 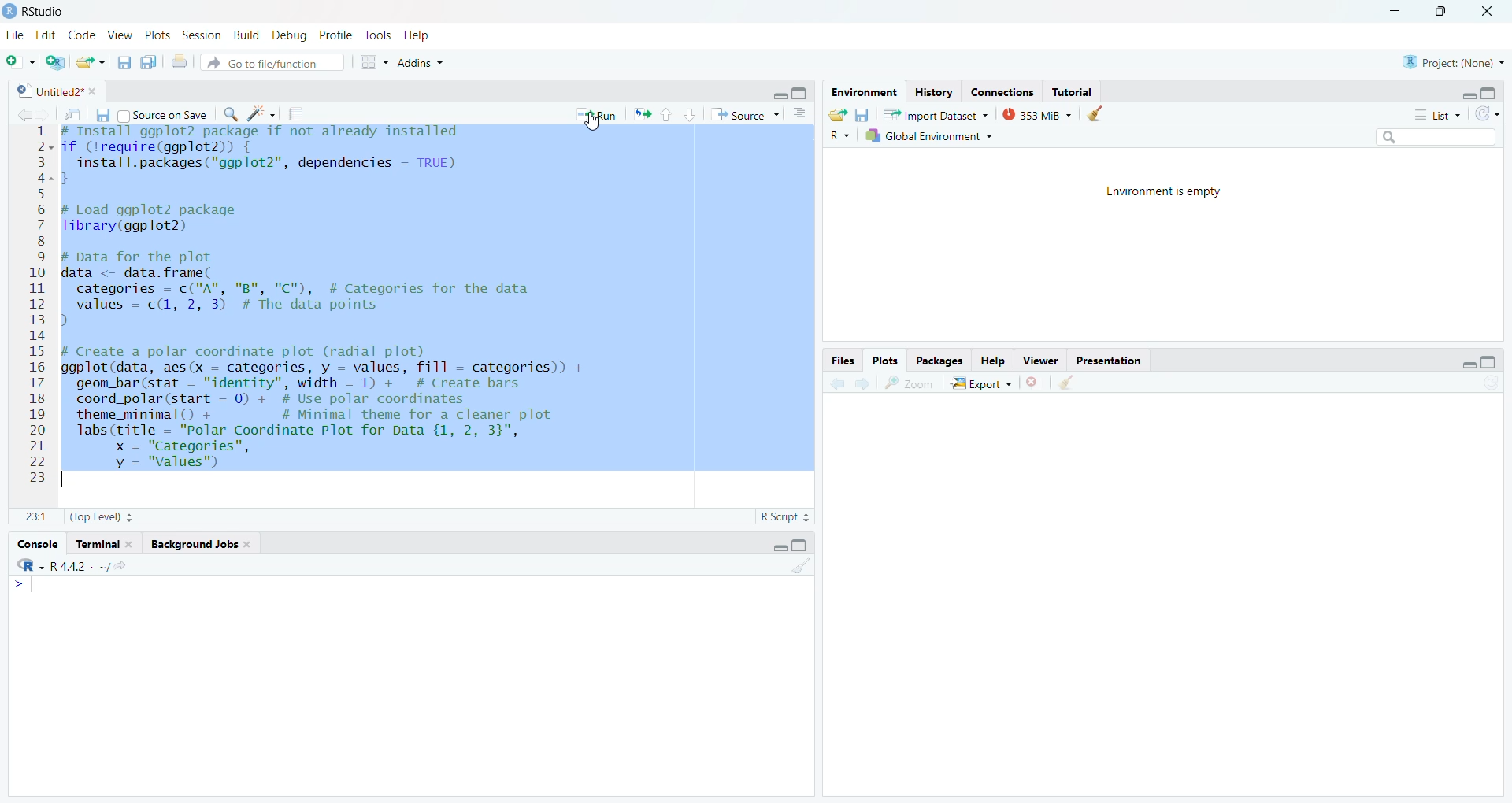 What do you see at coordinates (1102, 114) in the screenshot?
I see `clear history` at bounding box center [1102, 114].